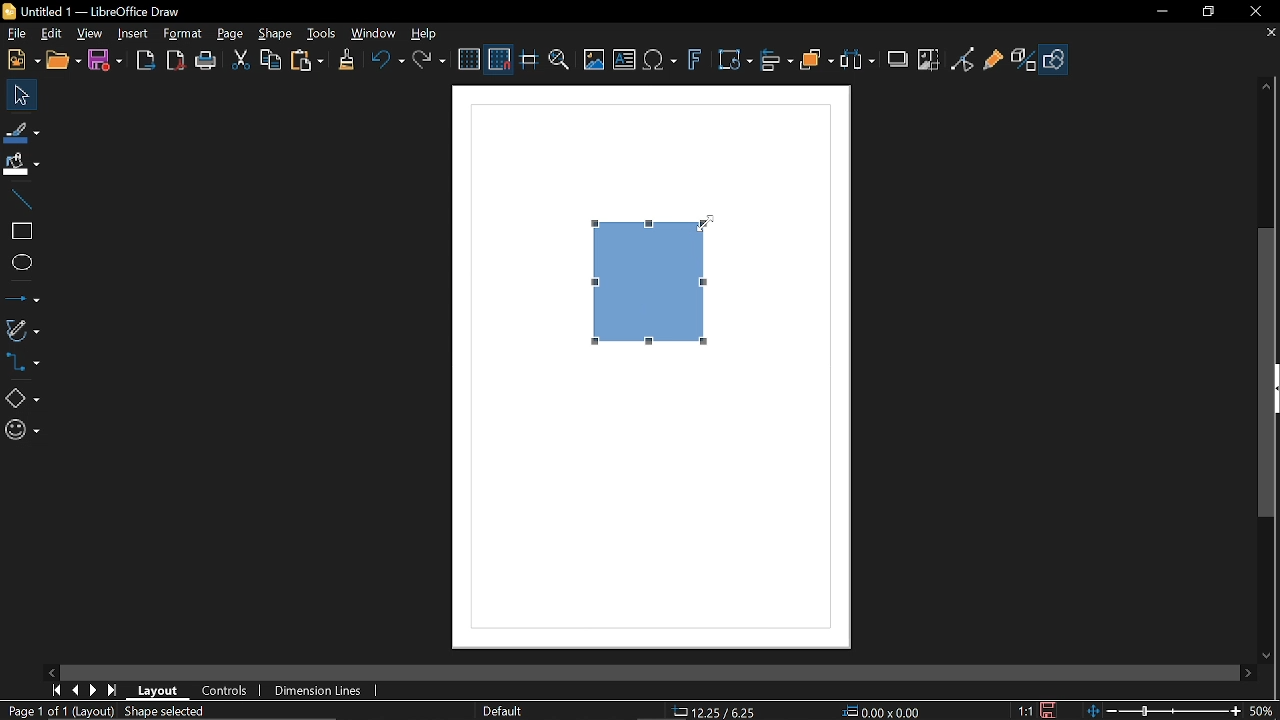 This screenshot has height=720, width=1280. What do you see at coordinates (735, 61) in the screenshot?
I see `Transformations` at bounding box center [735, 61].